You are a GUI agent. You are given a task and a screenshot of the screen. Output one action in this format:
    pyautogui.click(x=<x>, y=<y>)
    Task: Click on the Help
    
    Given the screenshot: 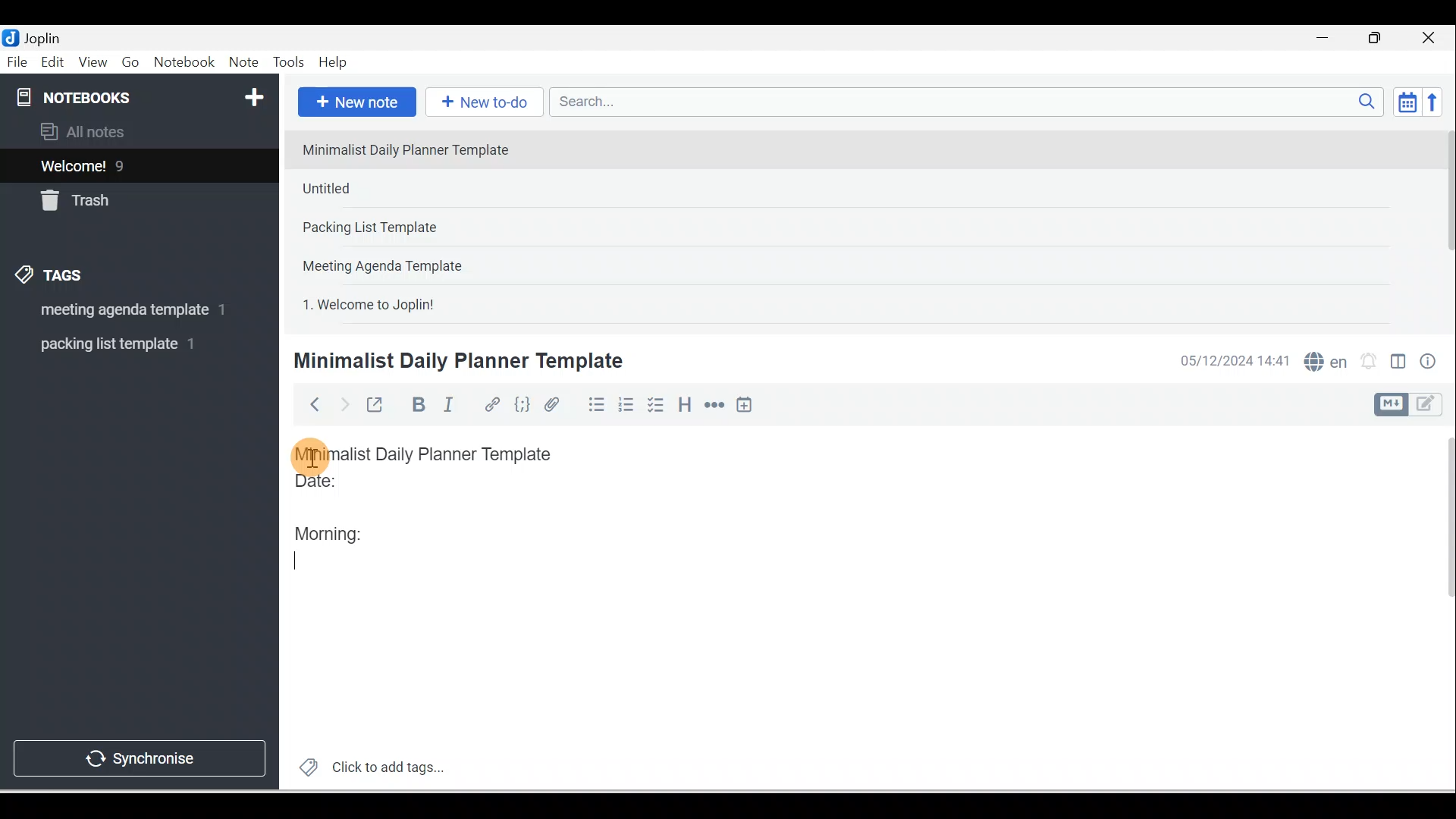 What is the action you would take?
    pyautogui.click(x=334, y=63)
    